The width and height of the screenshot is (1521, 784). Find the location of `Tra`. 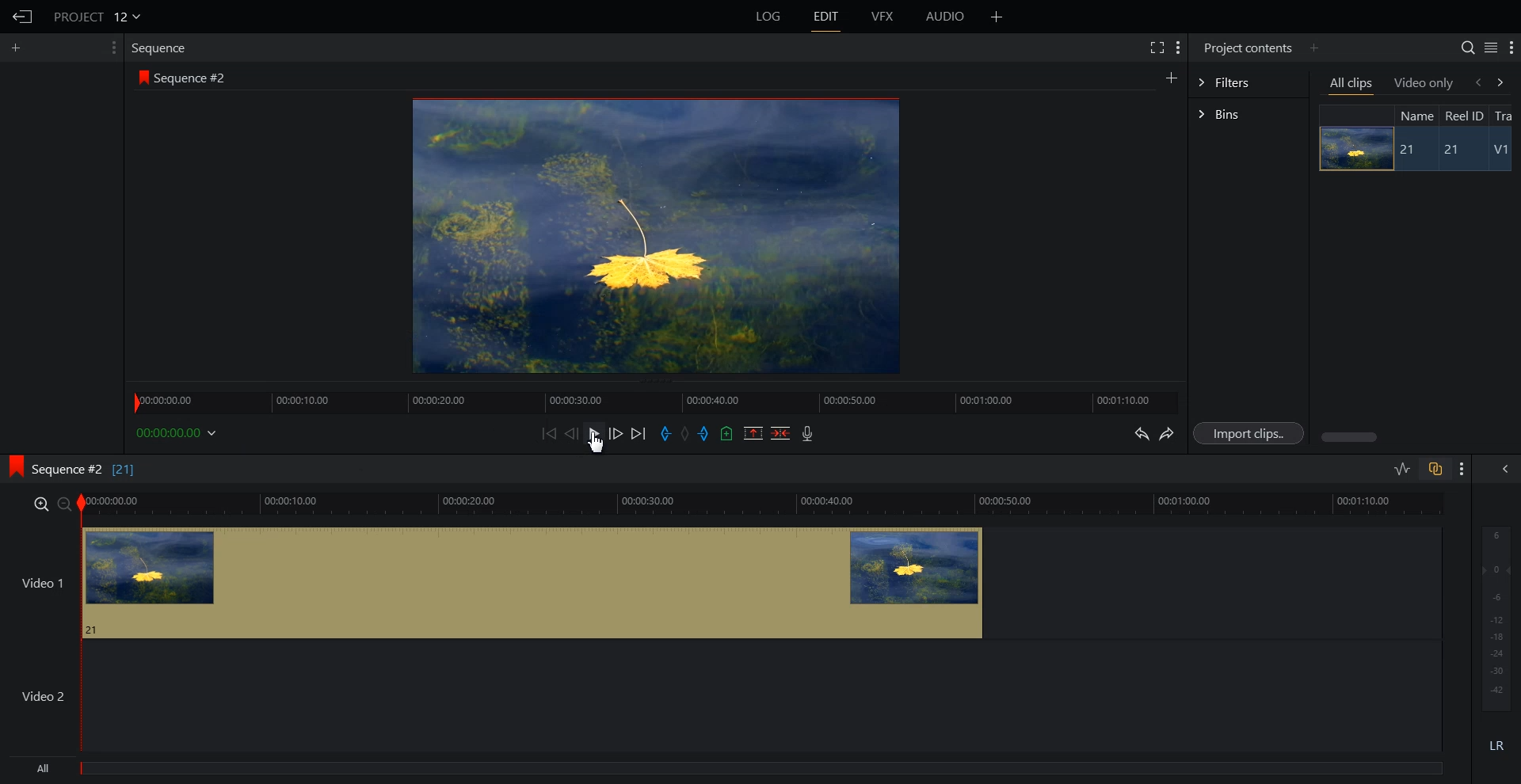

Tra is located at coordinates (1505, 115).